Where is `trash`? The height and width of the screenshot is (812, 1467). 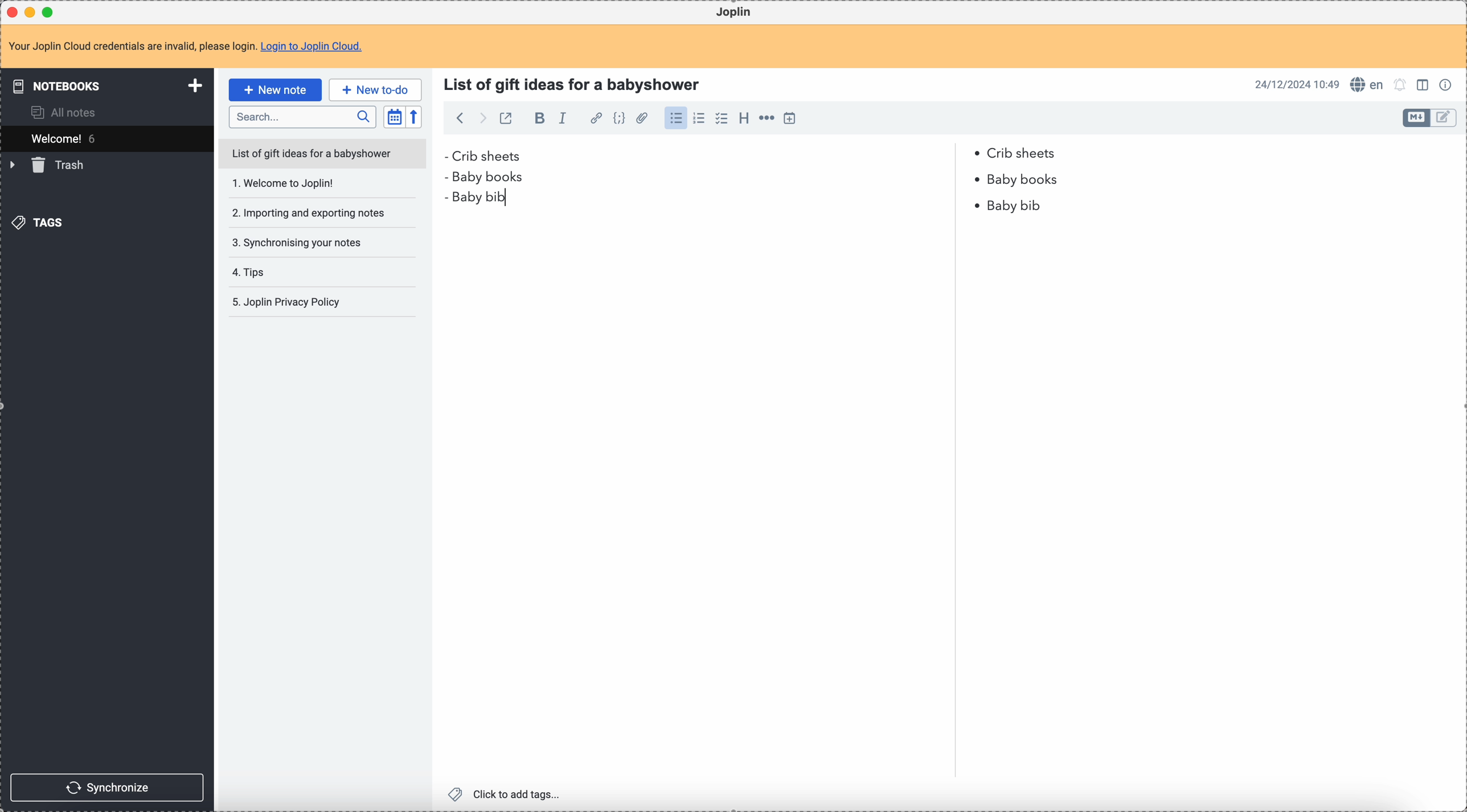 trash is located at coordinates (50, 166).